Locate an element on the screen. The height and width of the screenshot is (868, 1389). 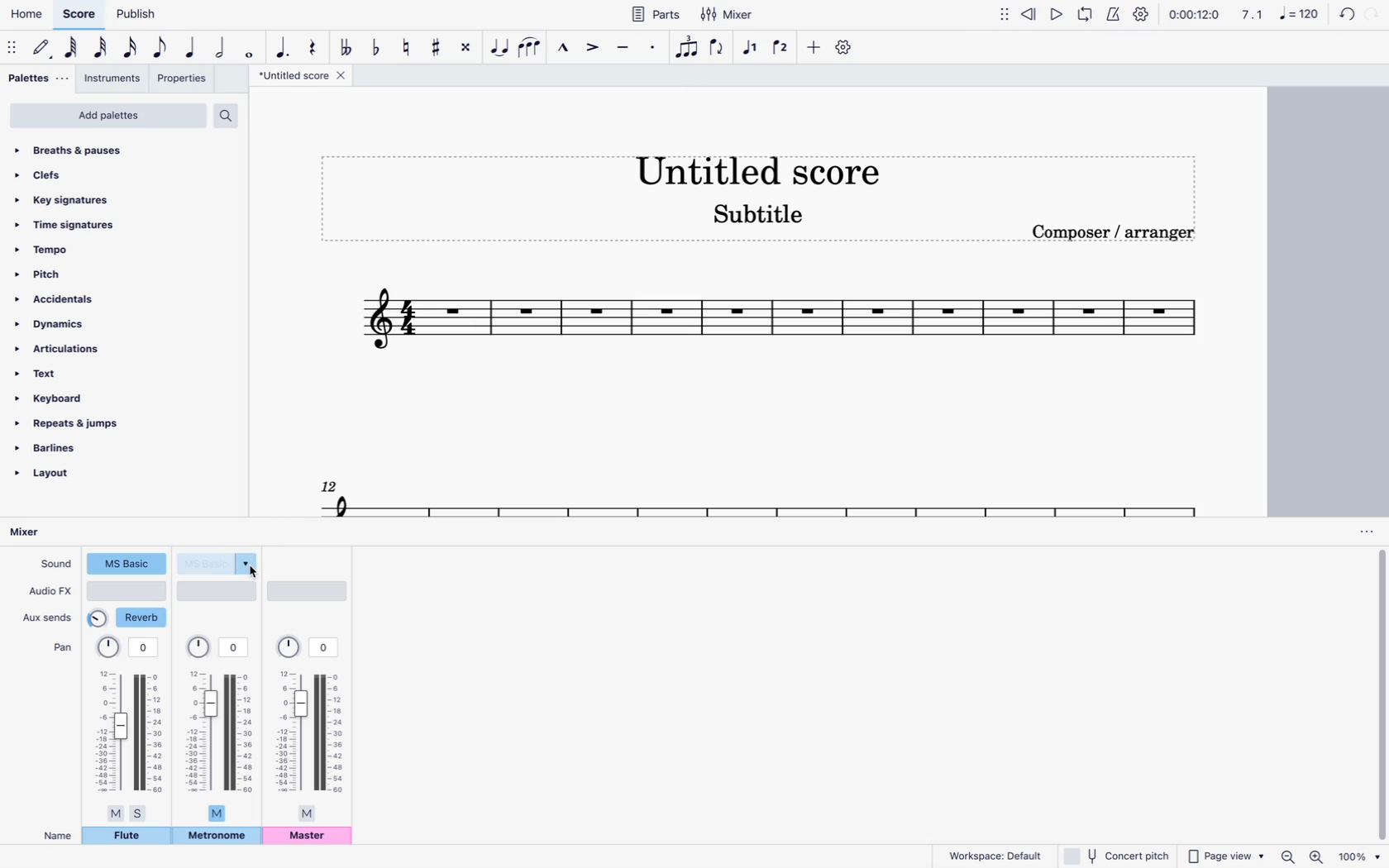
settings is located at coordinates (1140, 13).